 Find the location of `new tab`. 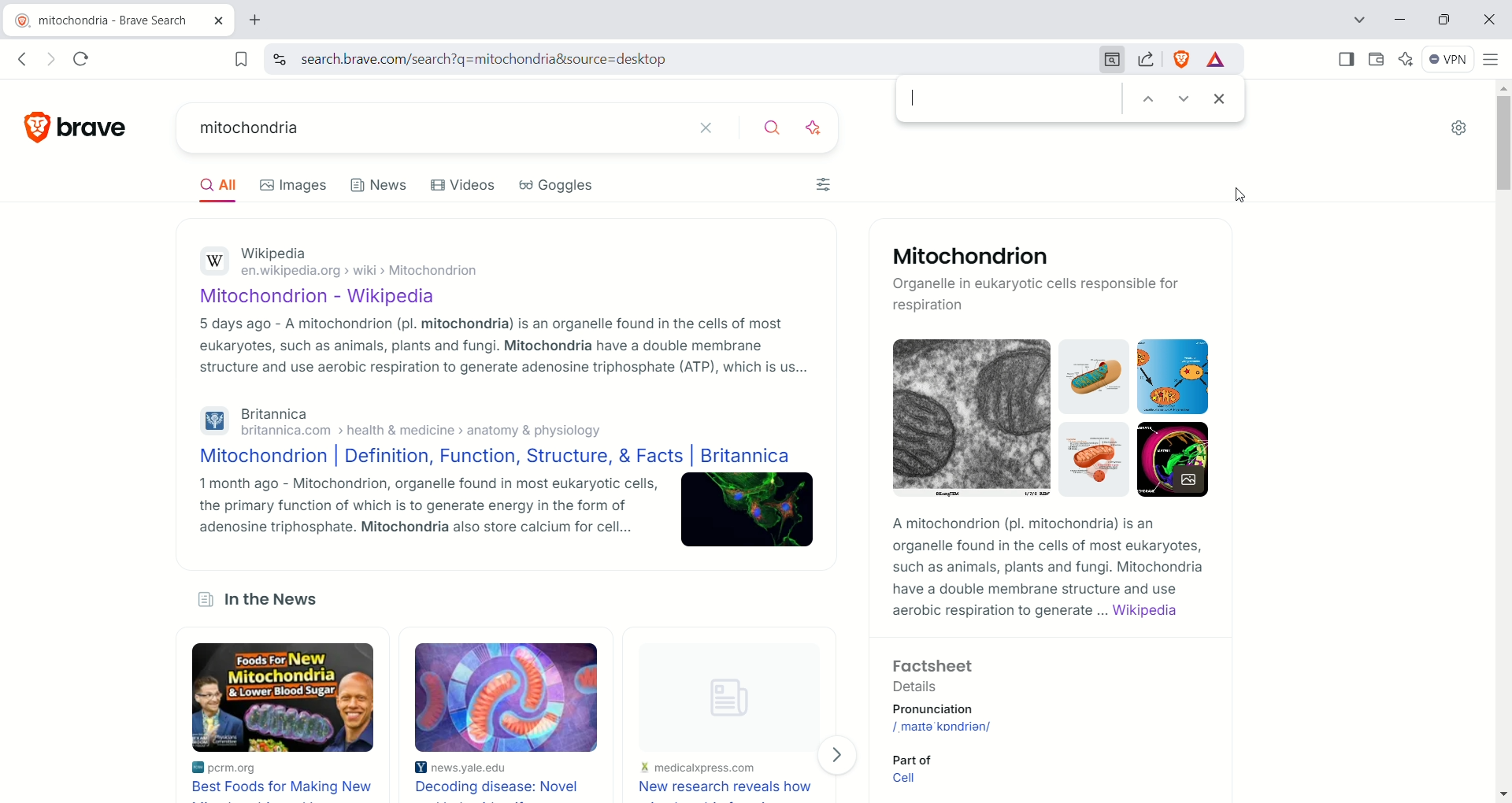

new tab is located at coordinates (268, 19).